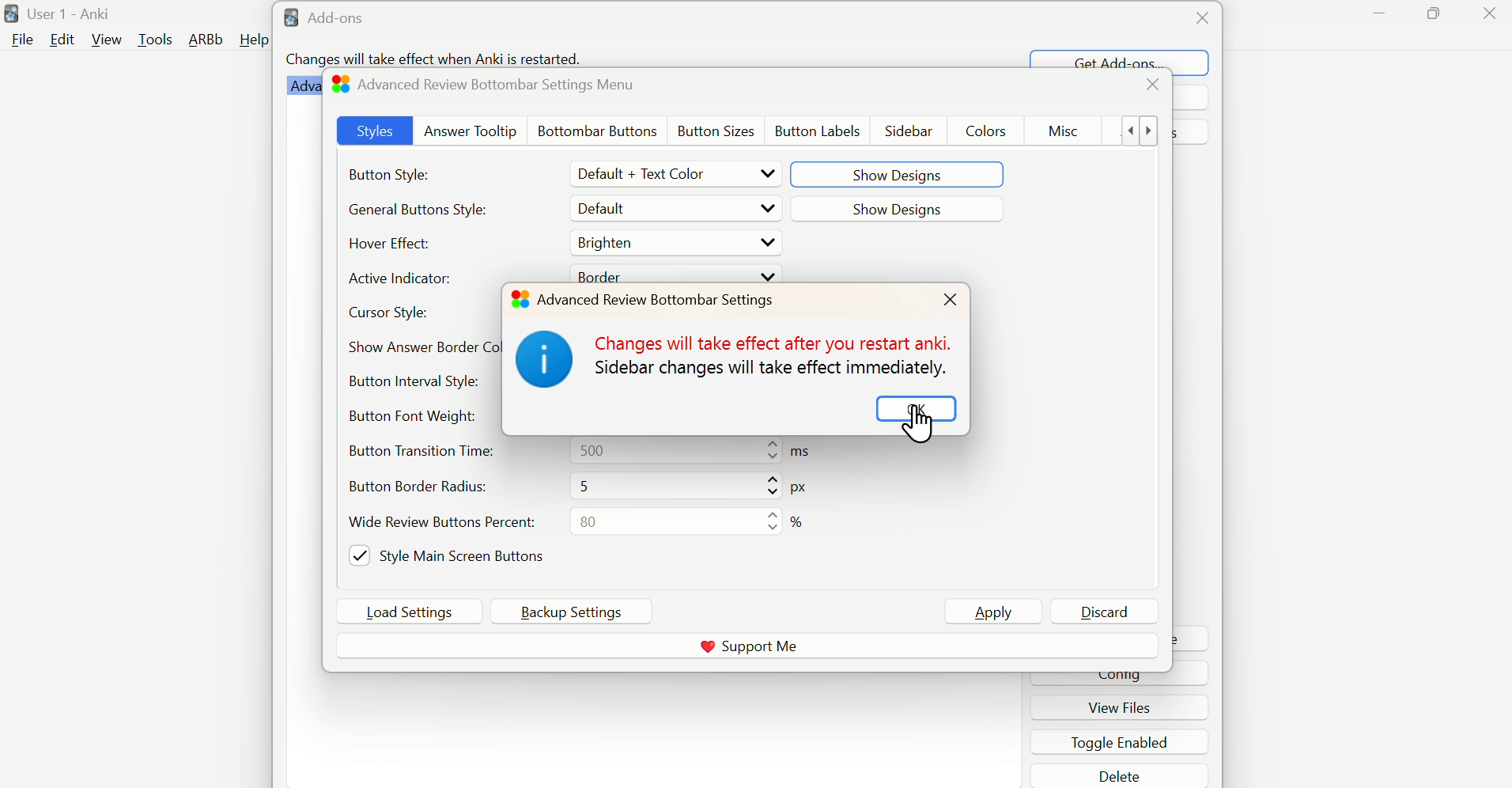 Image resolution: width=1512 pixels, height=788 pixels. What do you see at coordinates (70, 14) in the screenshot?
I see `User 1 - Anki` at bounding box center [70, 14].